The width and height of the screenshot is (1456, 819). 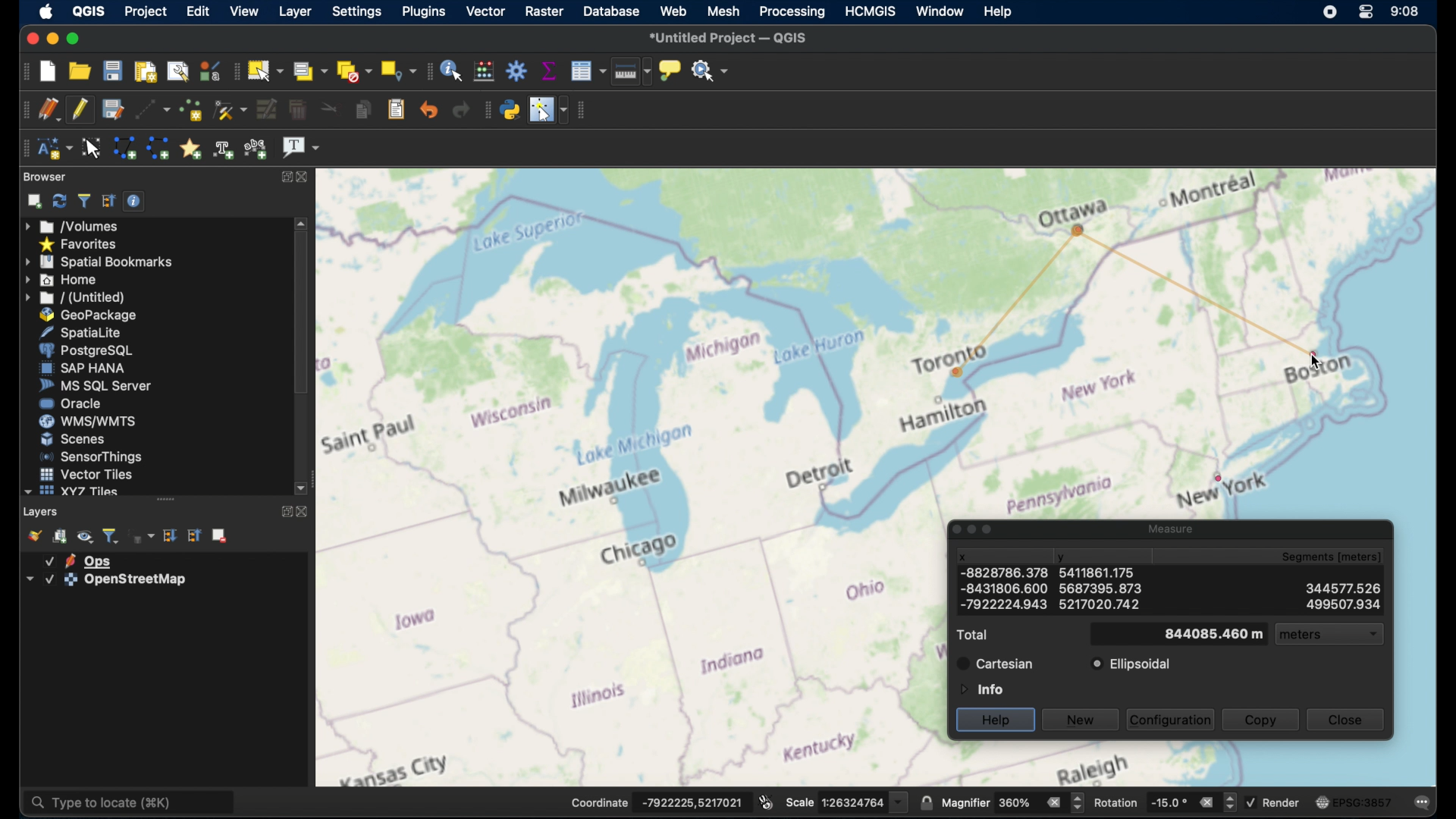 I want to click on toggle extents and mouse position display, so click(x=766, y=801).